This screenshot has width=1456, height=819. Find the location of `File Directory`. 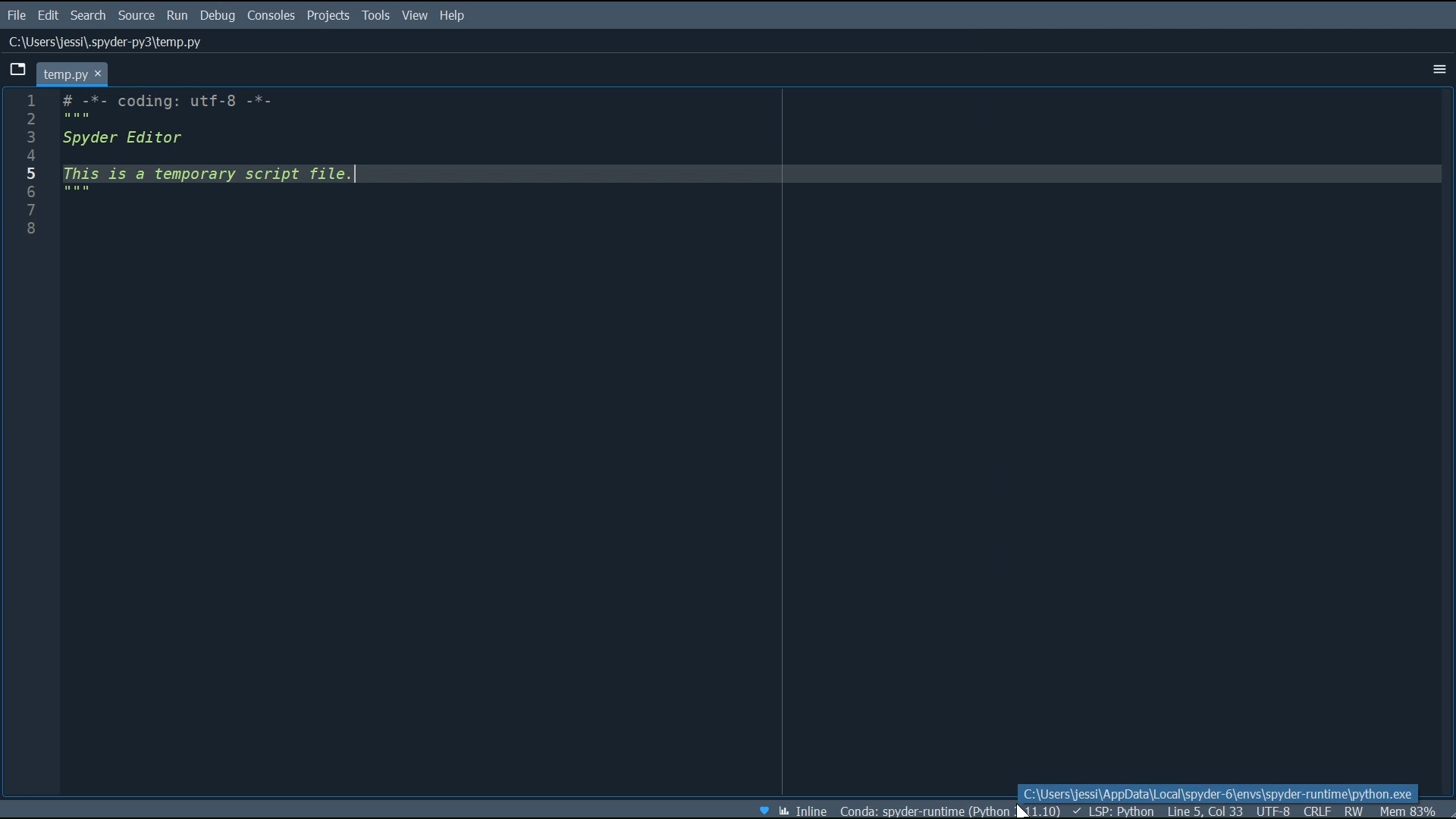

File Directory is located at coordinates (950, 809).